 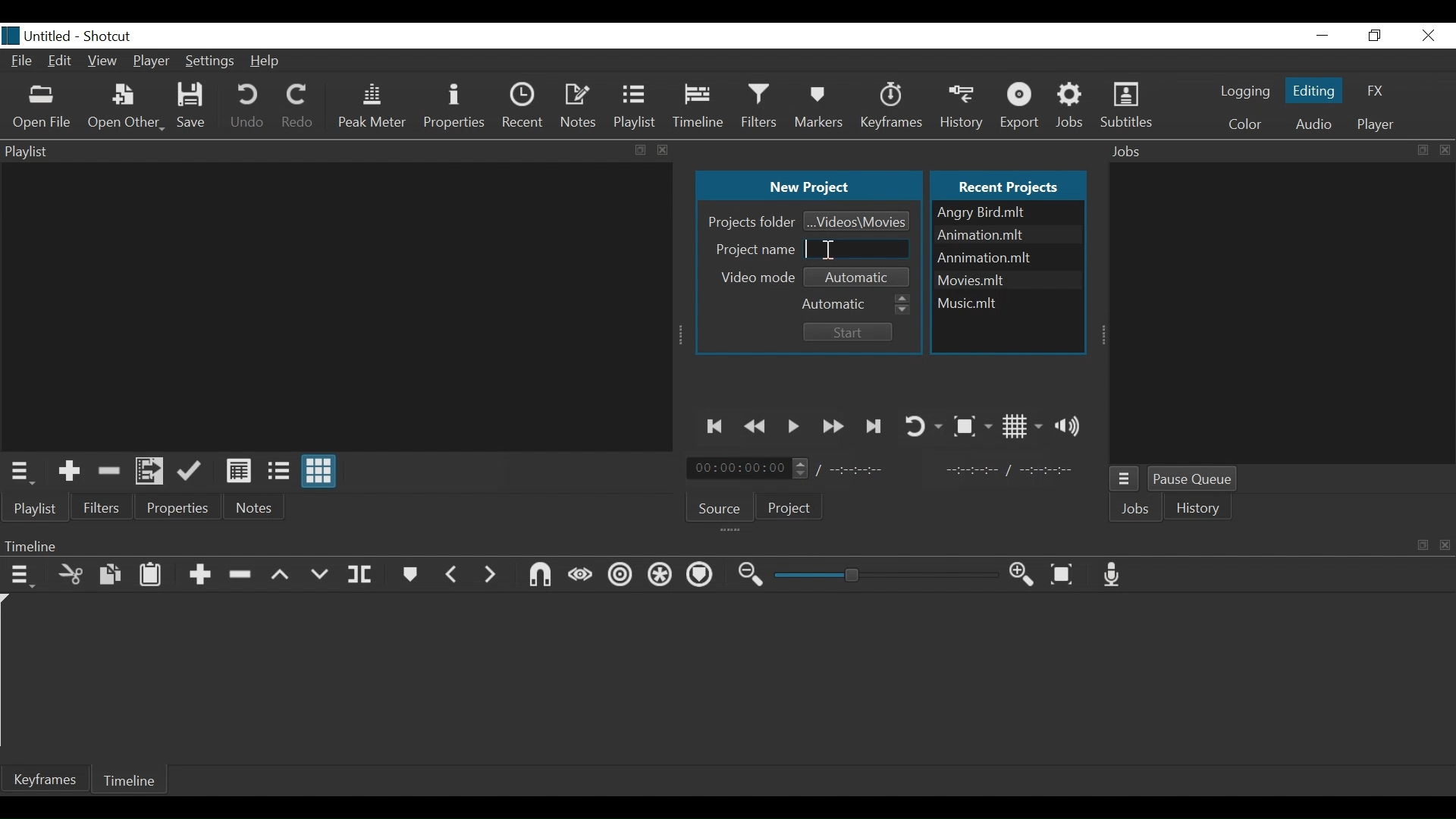 I want to click on View as Detail, so click(x=238, y=471).